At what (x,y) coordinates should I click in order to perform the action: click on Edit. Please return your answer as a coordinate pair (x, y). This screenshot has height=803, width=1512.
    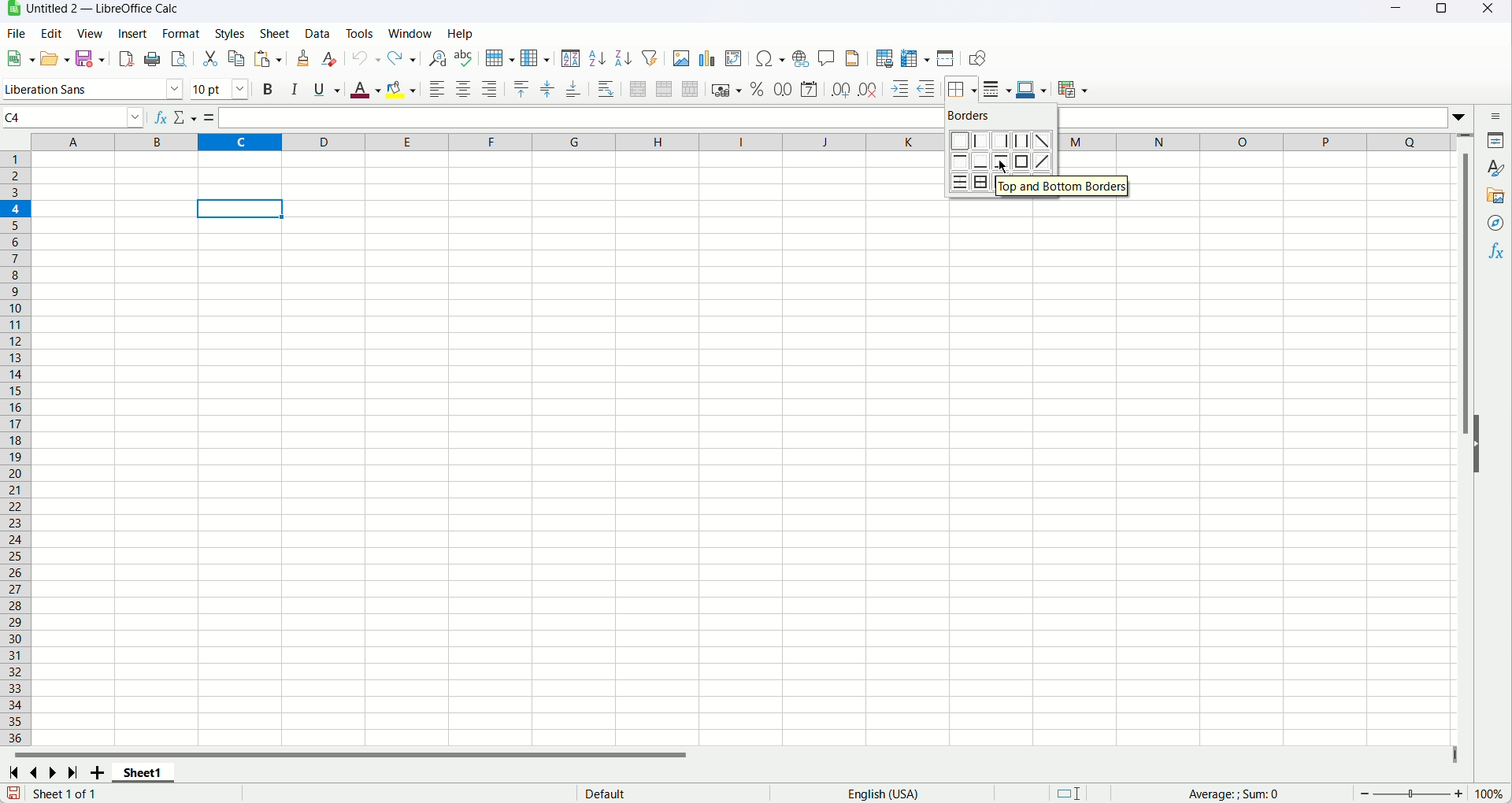
    Looking at the image, I should click on (50, 32).